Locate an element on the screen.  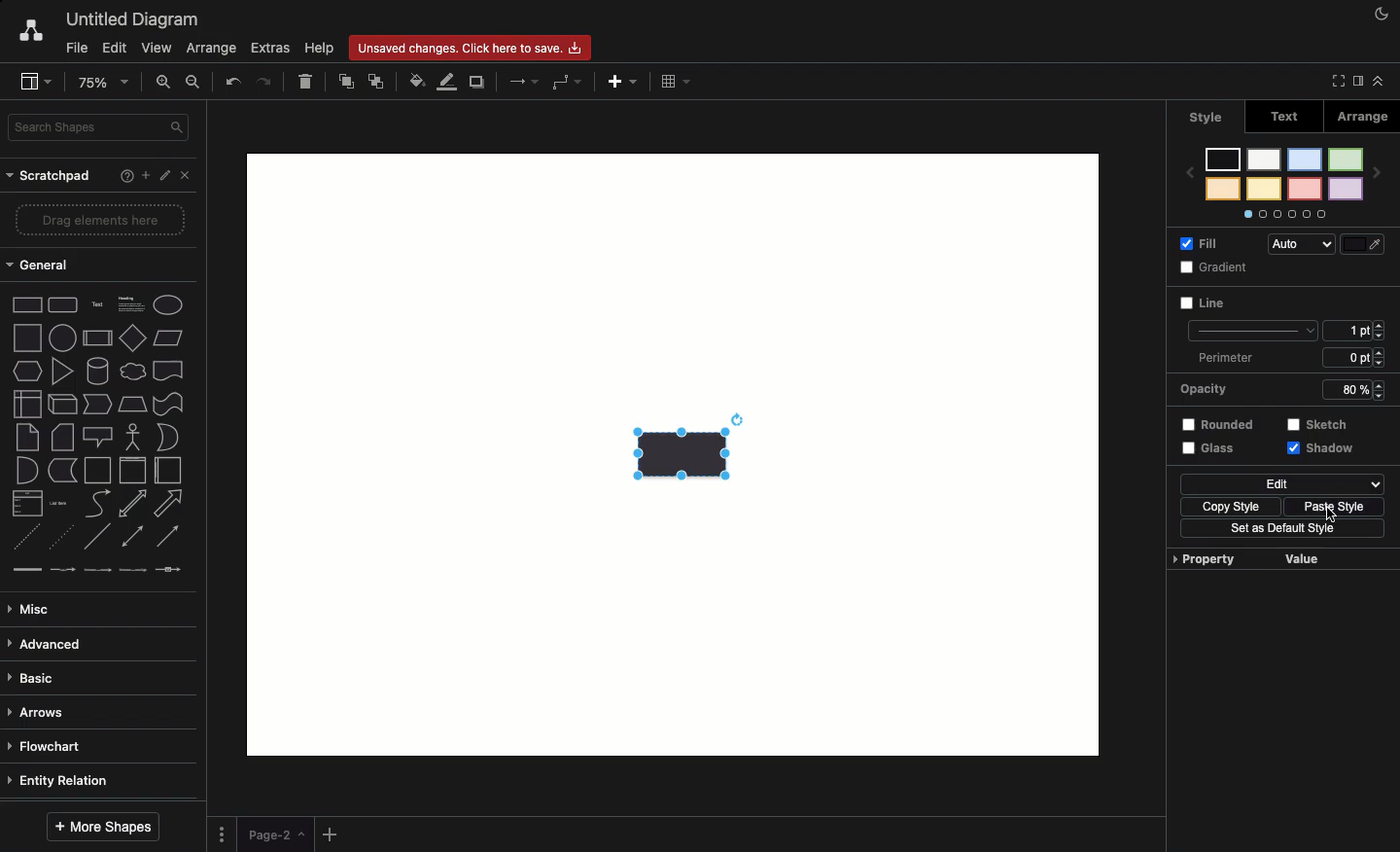
curve is located at coordinates (98, 505).